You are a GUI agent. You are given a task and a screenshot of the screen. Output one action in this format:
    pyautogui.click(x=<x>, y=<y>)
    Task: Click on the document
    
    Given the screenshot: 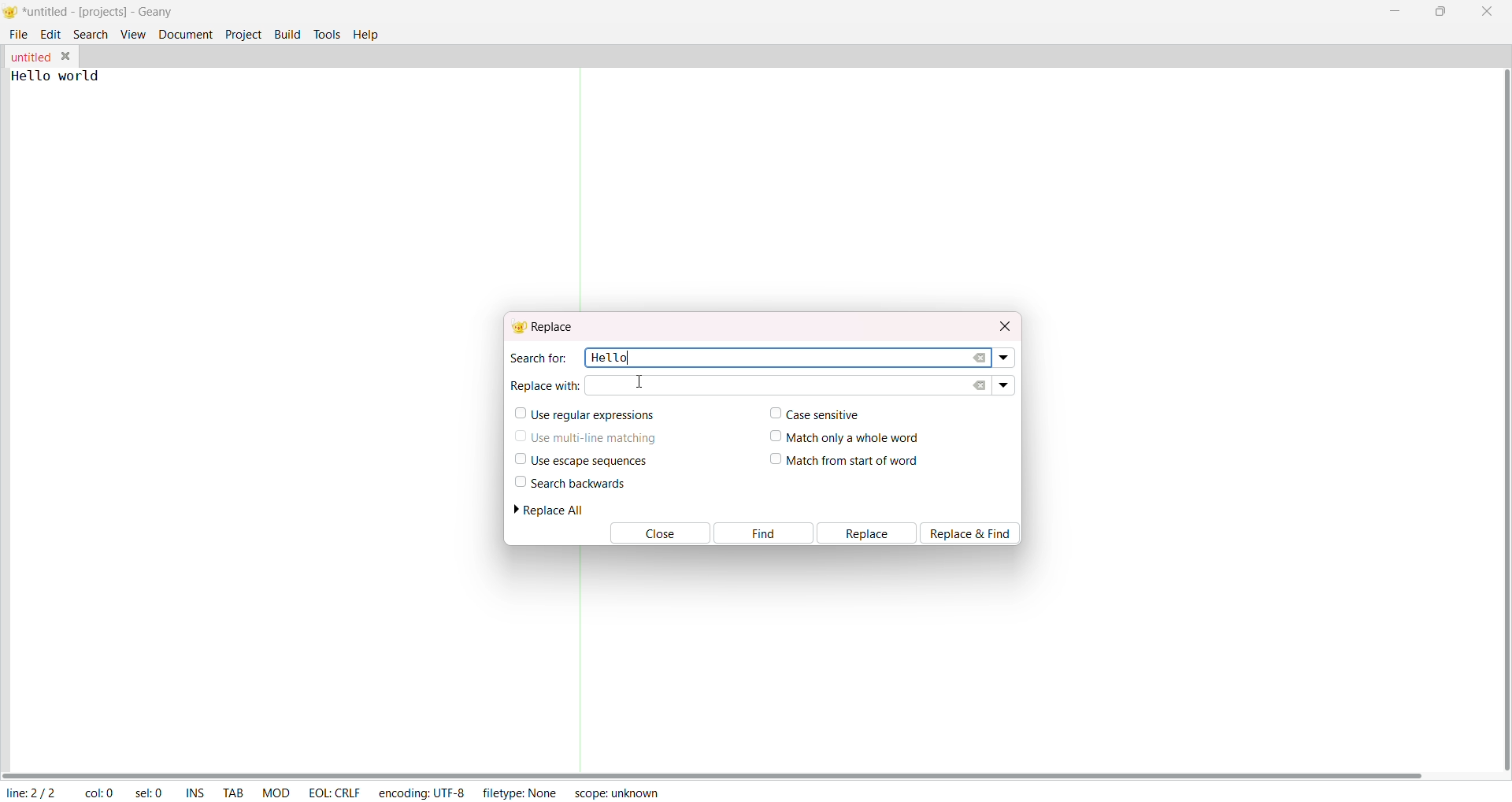 What is the action you would take?
    pyautogui.click(x=186, y=33)
    